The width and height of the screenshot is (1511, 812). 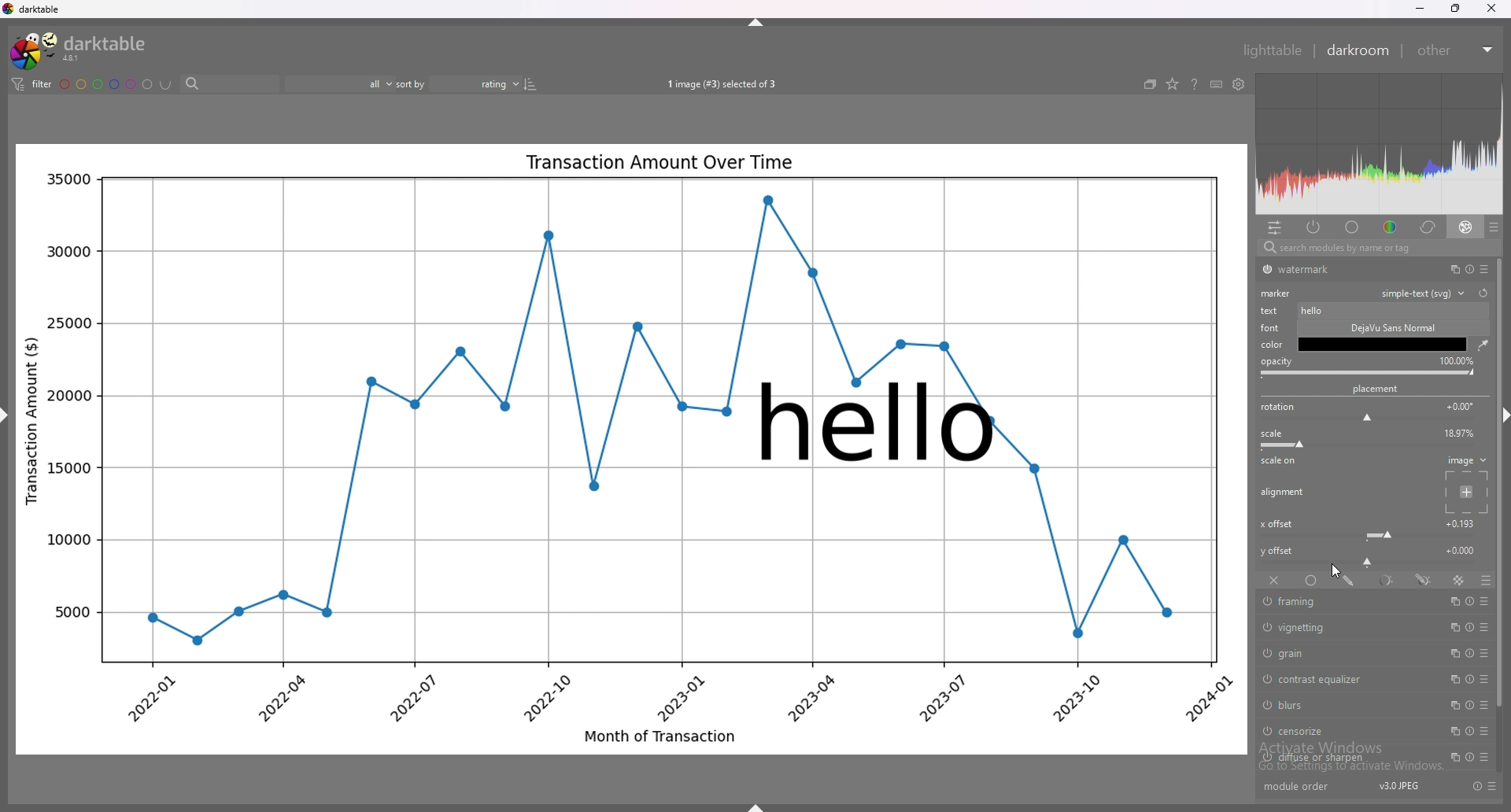 What do you see at coordinates (1272, 434) in the screenshot?
I see `scale` at bounding box center [1272, 434].